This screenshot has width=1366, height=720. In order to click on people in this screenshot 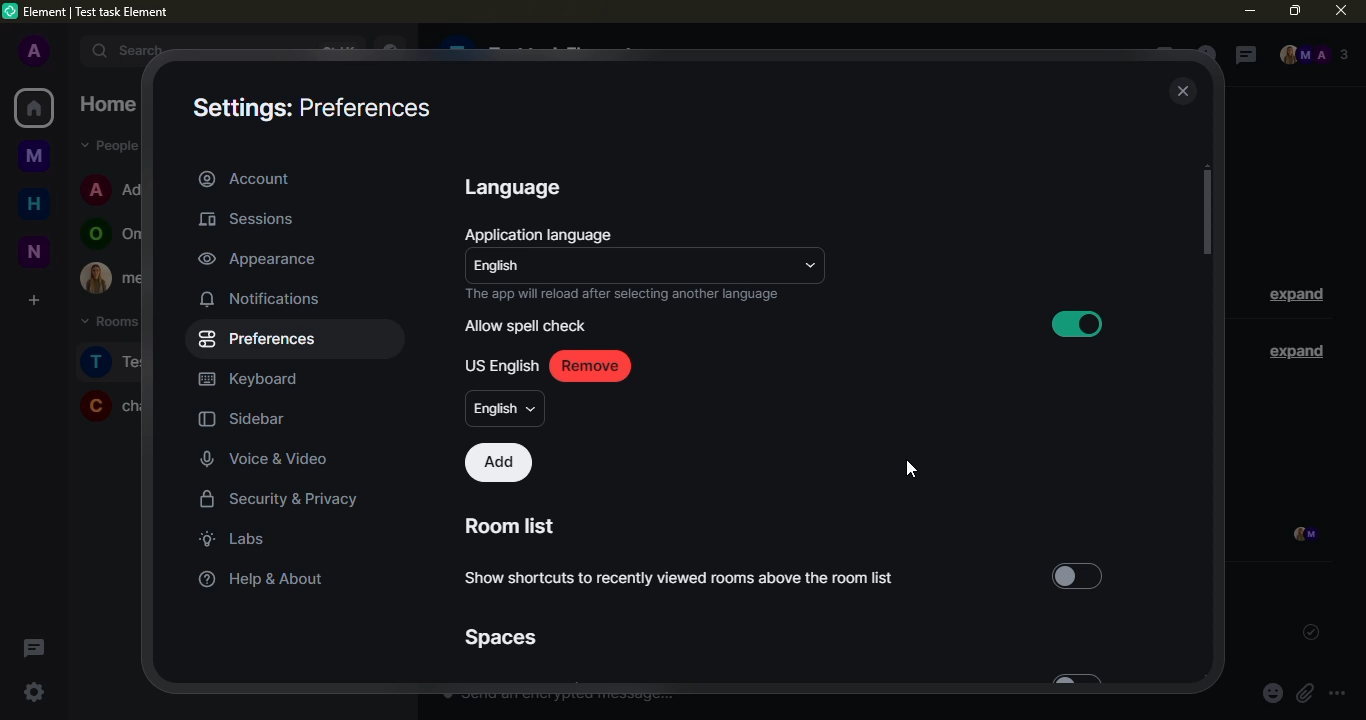, I will do `click(1313, 56)`.